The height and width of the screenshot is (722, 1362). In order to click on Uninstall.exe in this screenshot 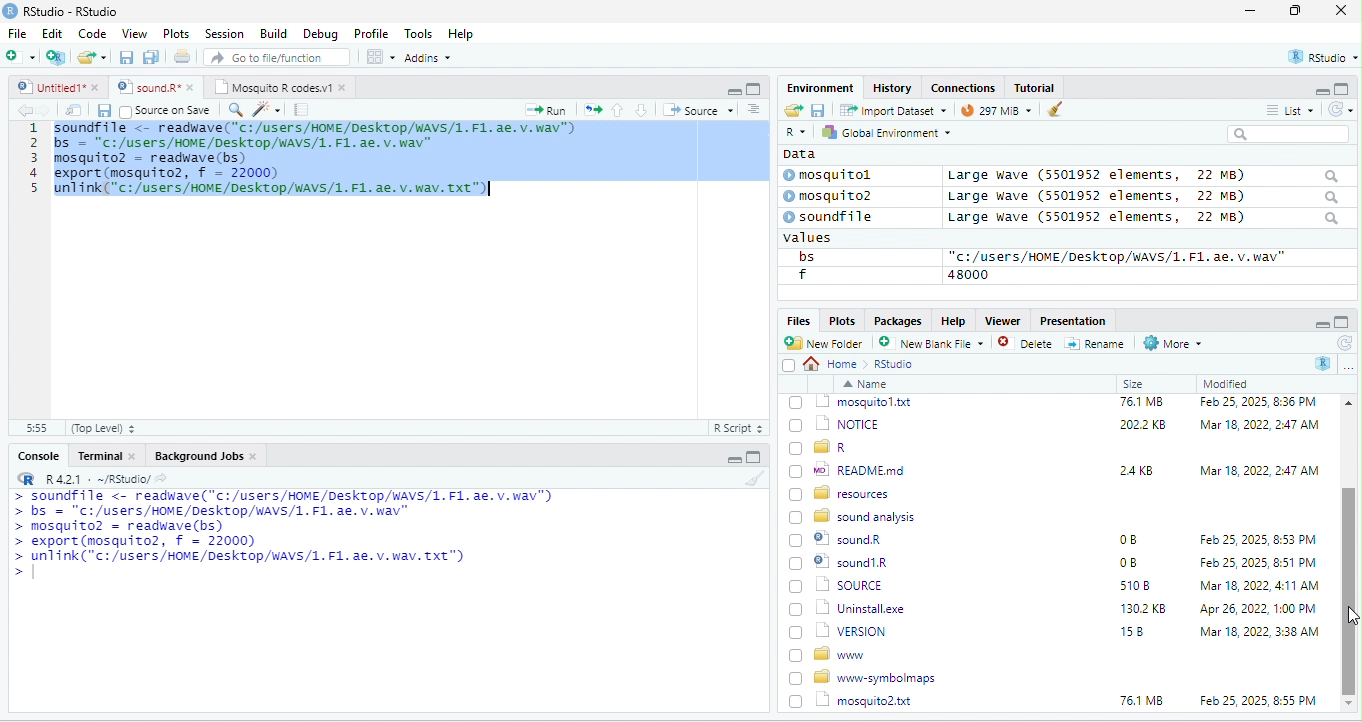, I will do `click(849, 703)`.